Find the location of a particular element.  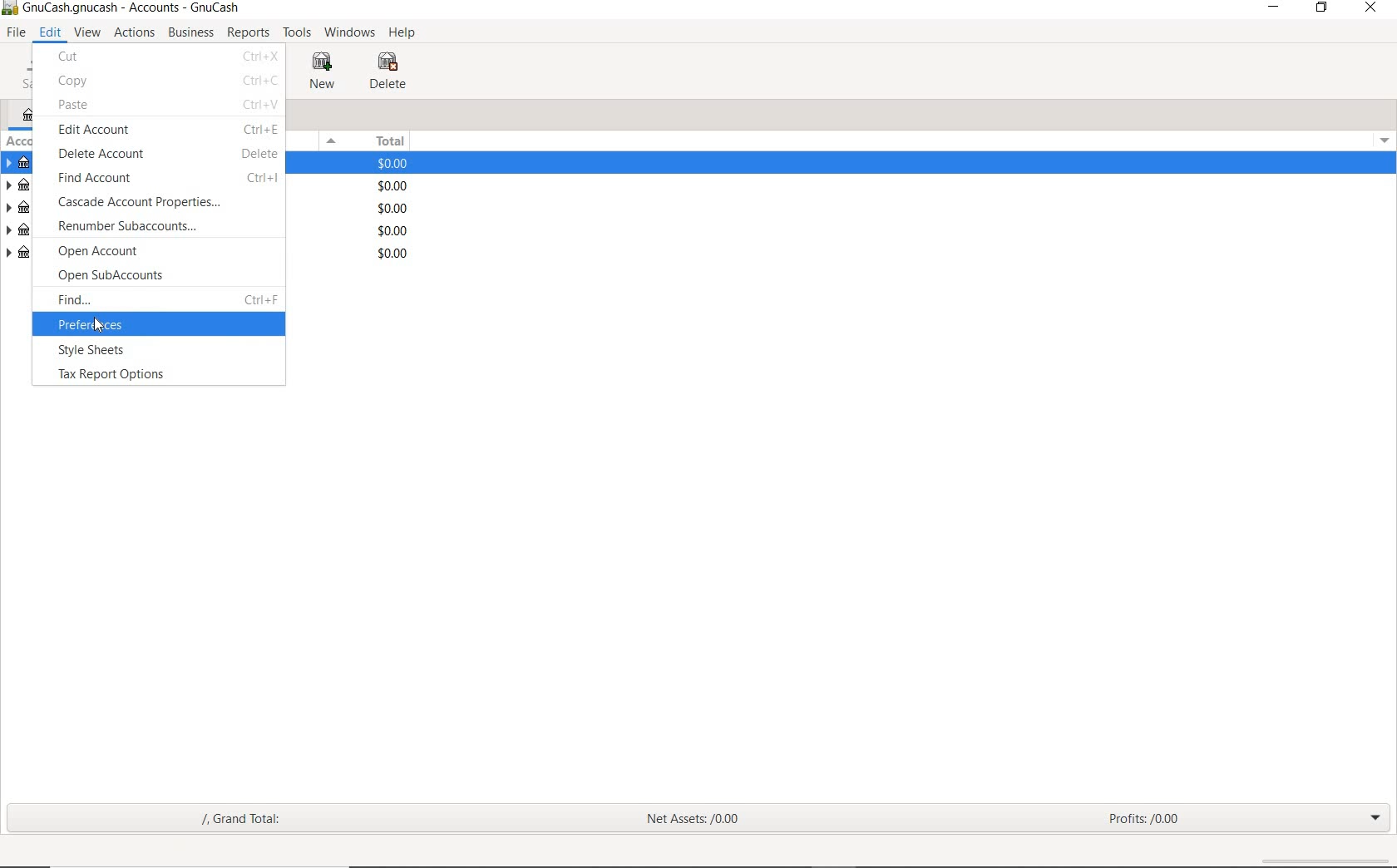

 is located at coordinates (395, 208).